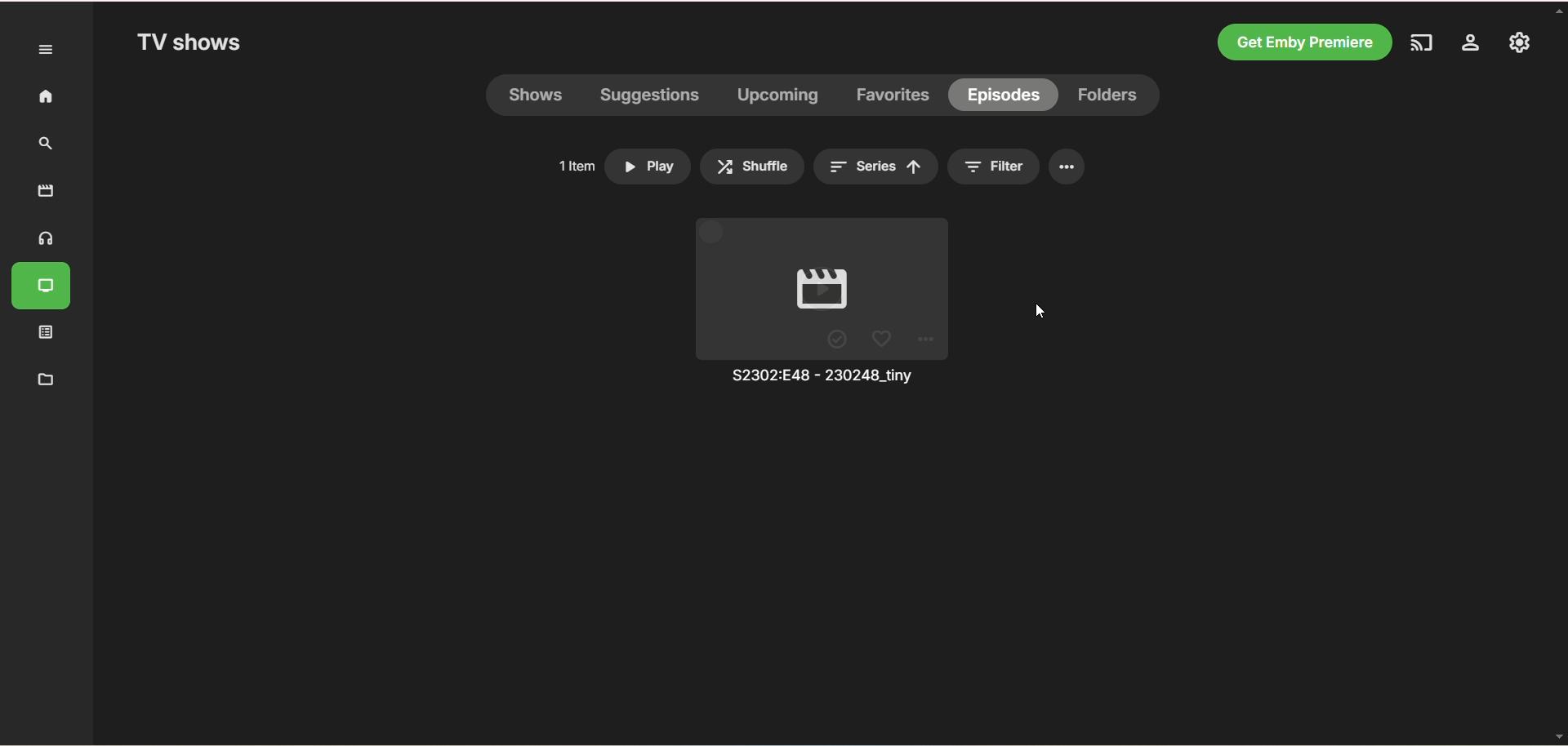 The height and width of the screenshot is (746, 1568). I want to click on = Filter, so click(1001, 166).